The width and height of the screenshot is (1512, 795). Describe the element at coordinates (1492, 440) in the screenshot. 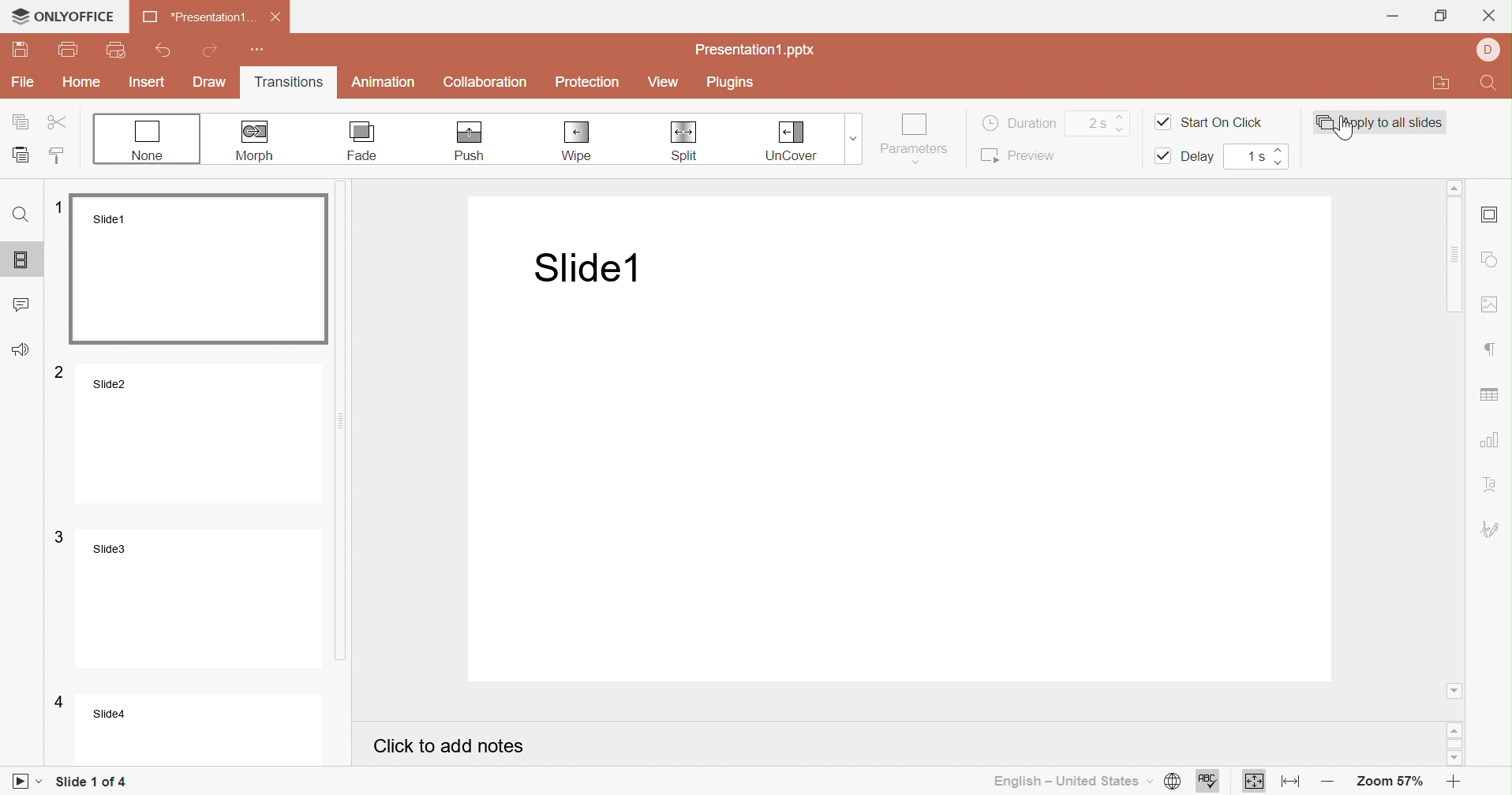

I see `Insert chart` at that location.